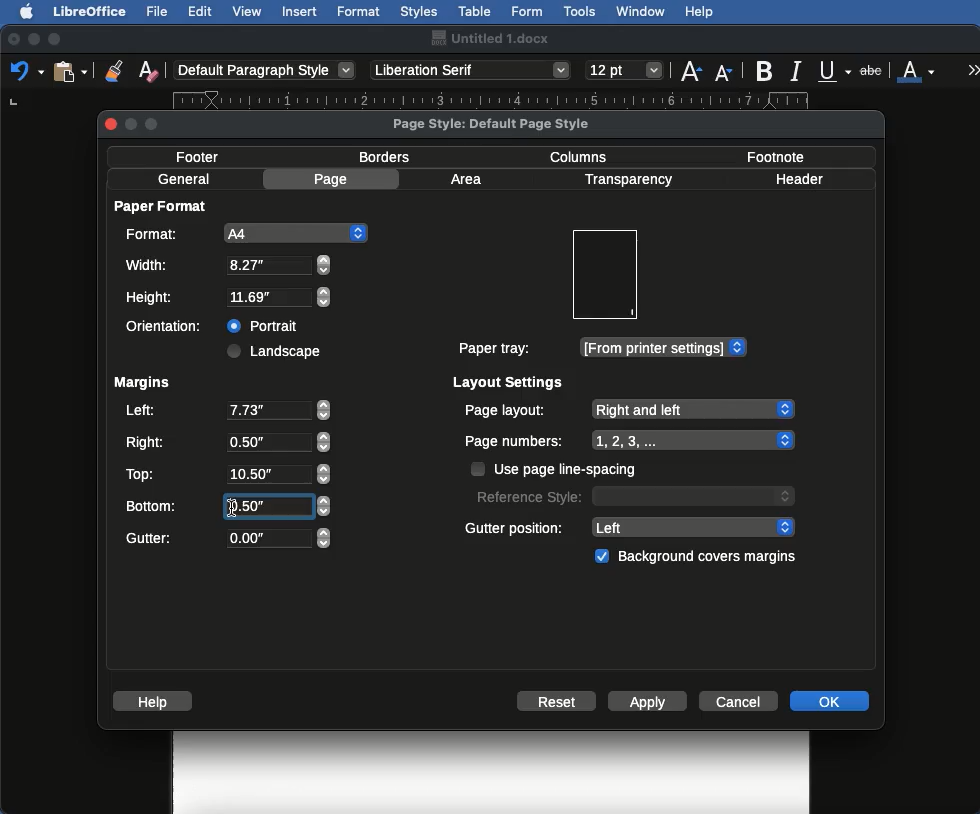 The image size is (980, 814). What do you see at coordinates (204, 156) in the screenshot?
I see `Footer` at bounding box center [204, 156].